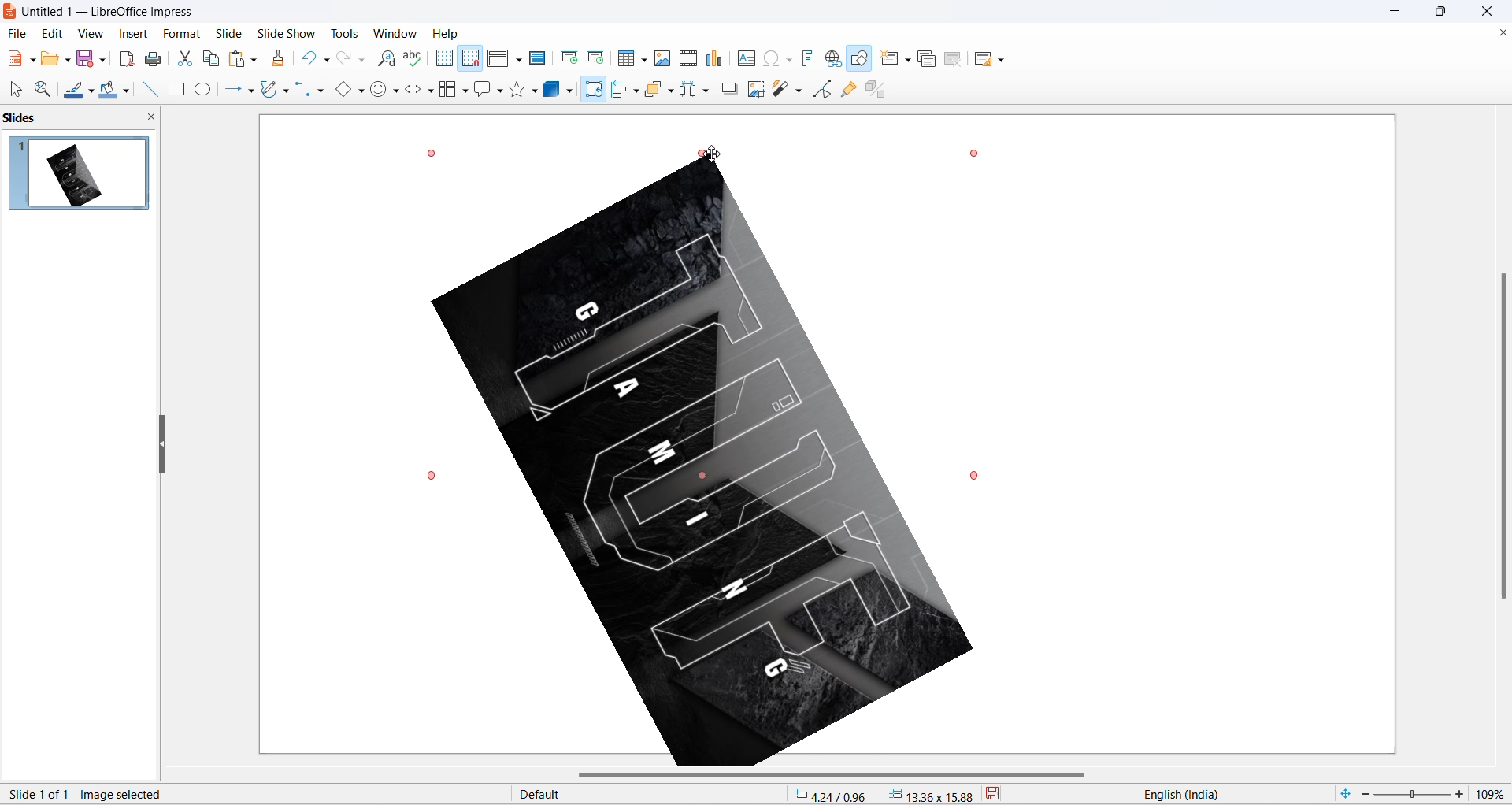 The width and height of the screenshot is (1512, 805). What do you see at coordinates (498, 92) in the screenshot?
I see `callout shapes options` at bounding box center [498, 92].